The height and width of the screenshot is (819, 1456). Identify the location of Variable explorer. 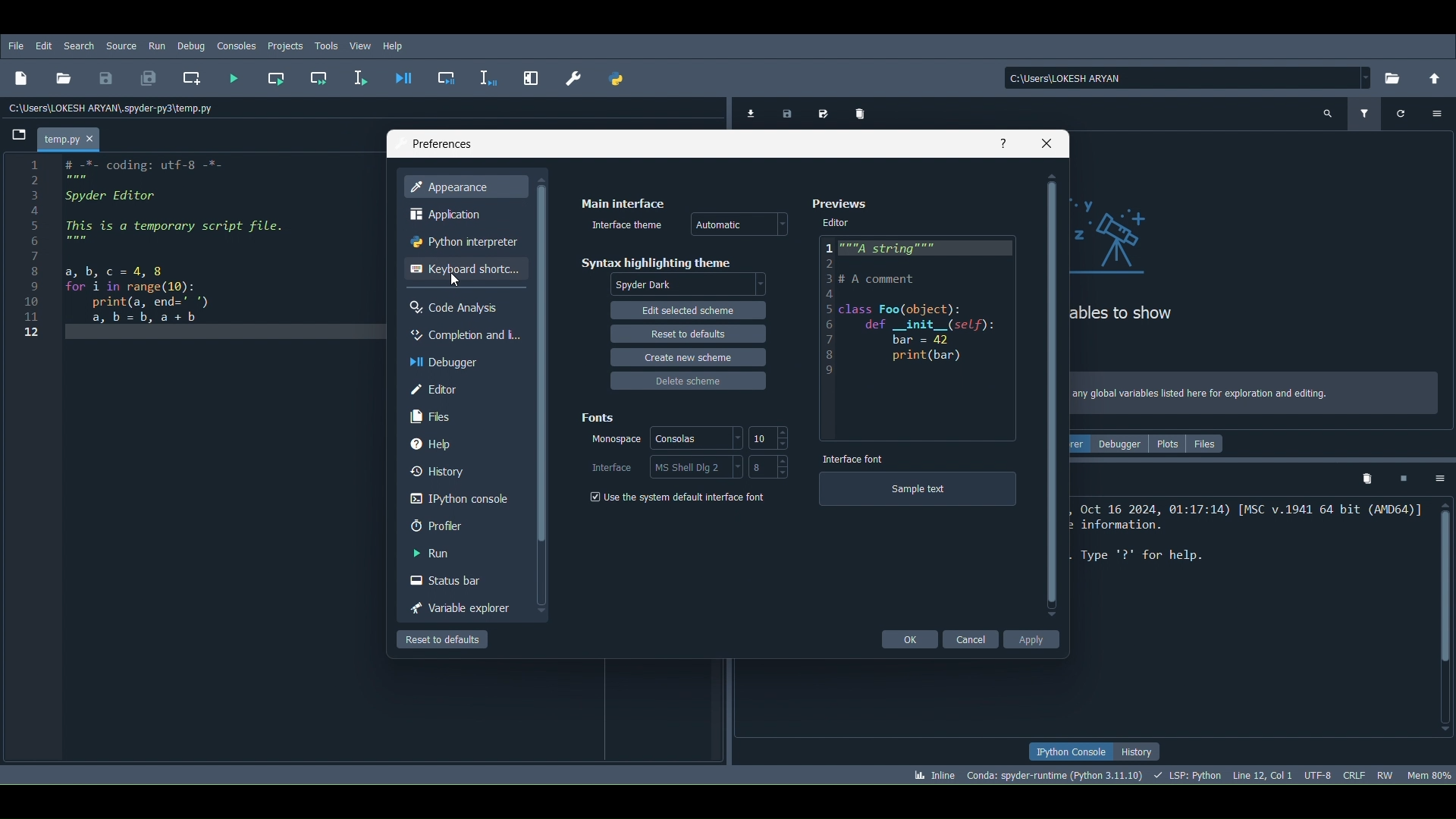
(457, 605).